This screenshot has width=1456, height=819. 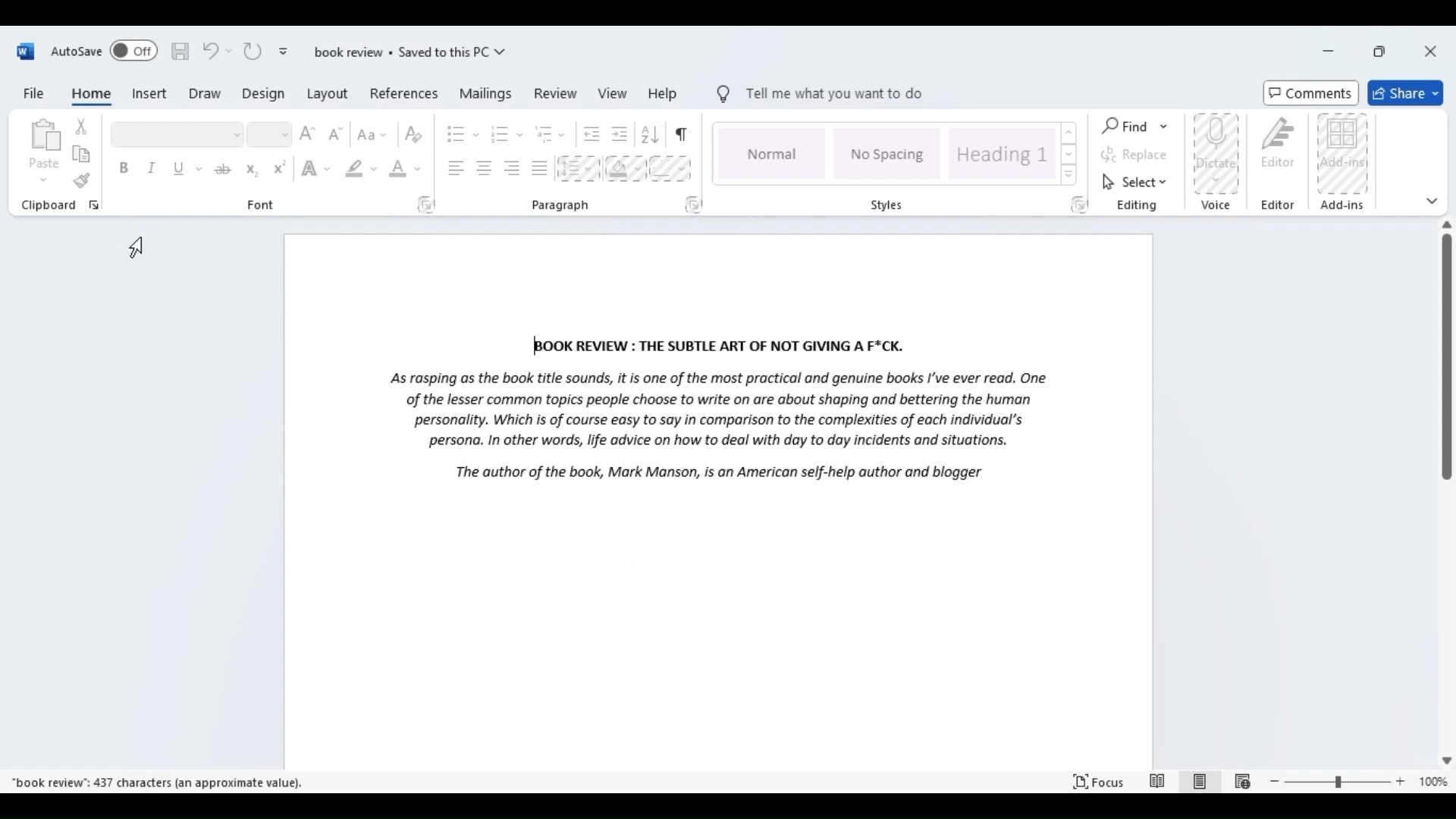 I want to click on References, so click(x=403, y=95).